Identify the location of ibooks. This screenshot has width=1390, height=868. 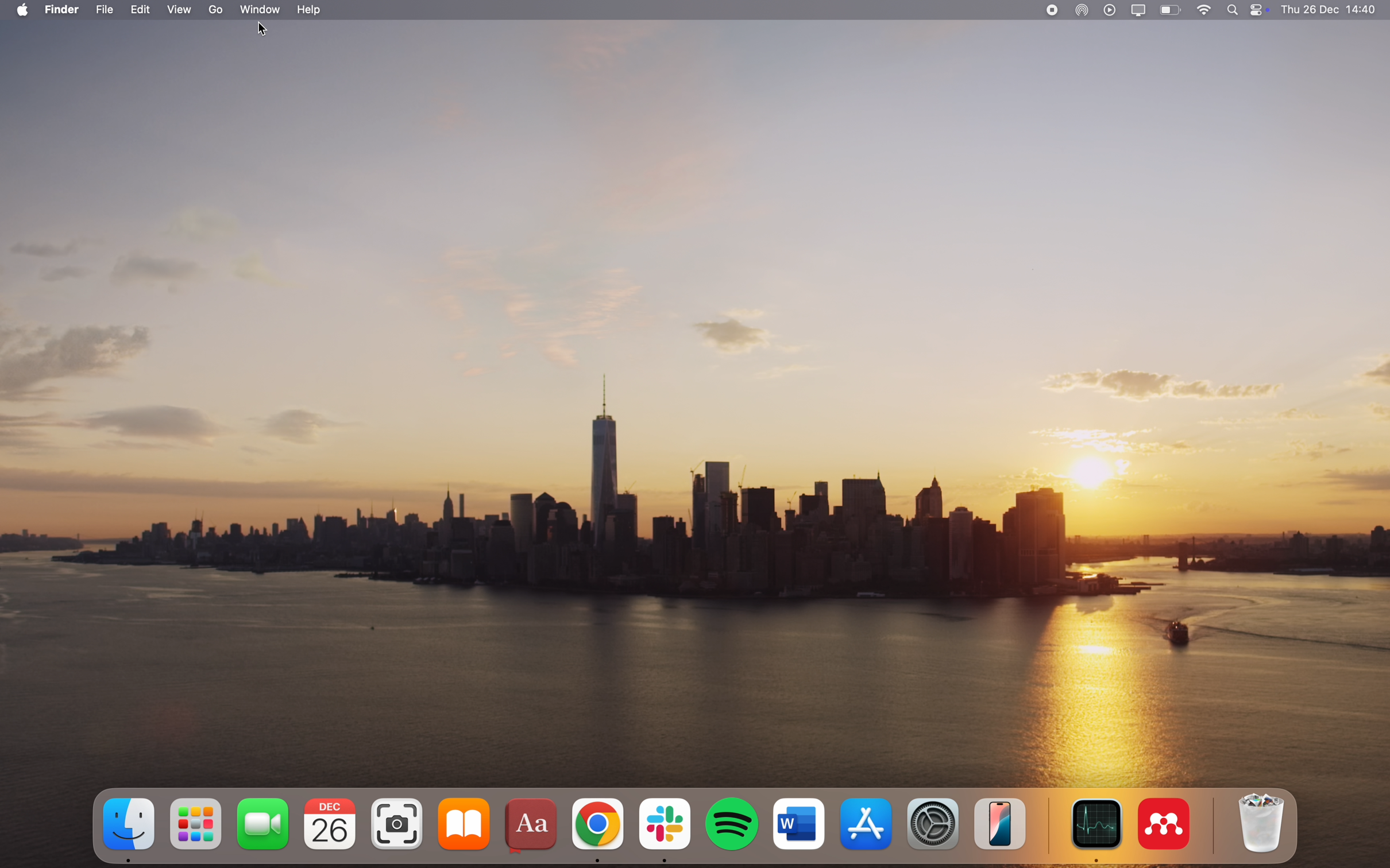
(461, 826).